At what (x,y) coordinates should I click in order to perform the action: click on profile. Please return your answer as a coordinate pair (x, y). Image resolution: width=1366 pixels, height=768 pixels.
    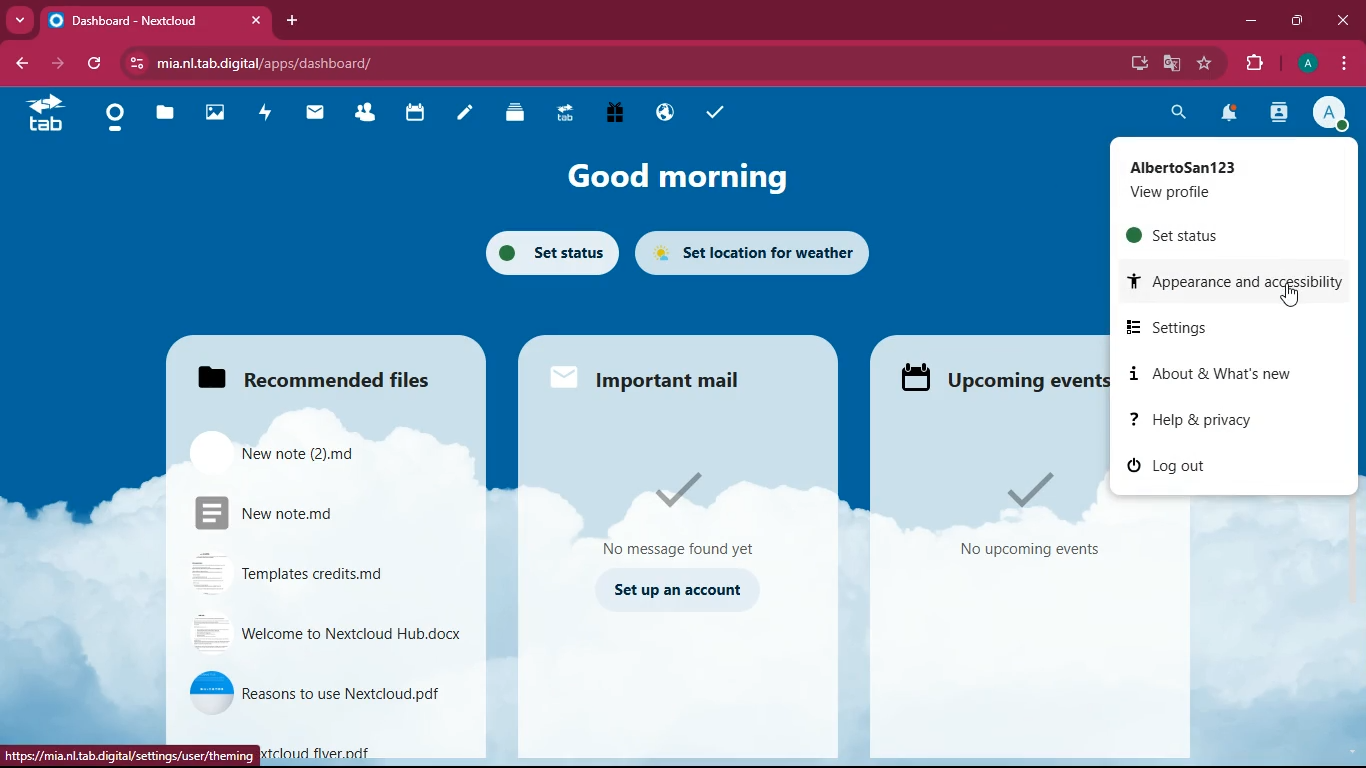
    Looking at the image, I should click on (1305, 64).